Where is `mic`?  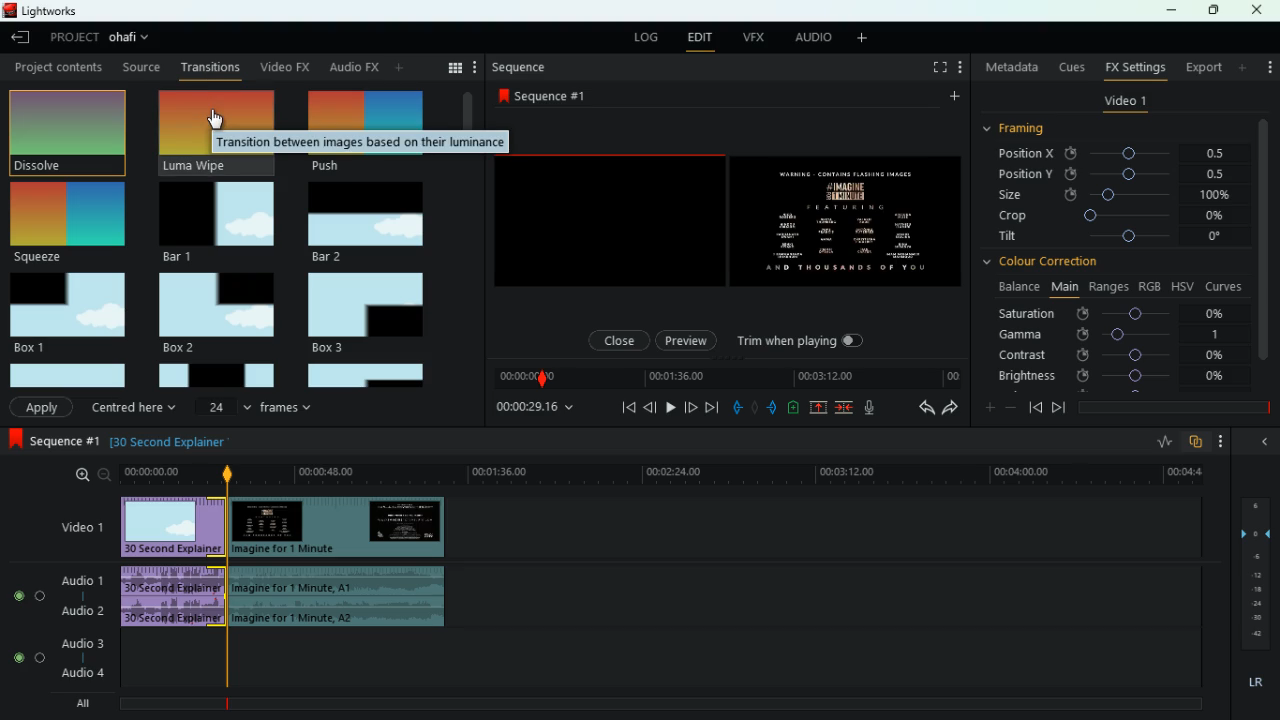 mic is located at coordinates (878, 409).